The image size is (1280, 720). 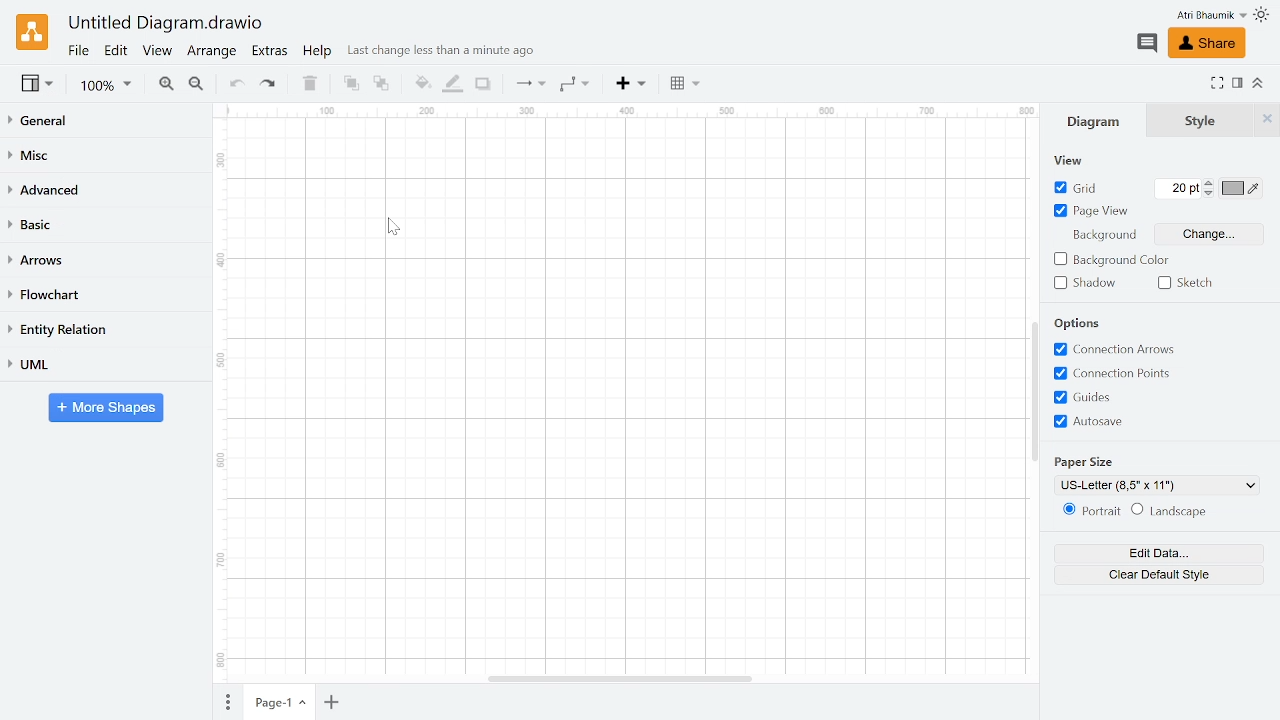 What do you see at coordinates (238, 84) in the screenshot?
I see `Undo` at bounding box center [238, 84].